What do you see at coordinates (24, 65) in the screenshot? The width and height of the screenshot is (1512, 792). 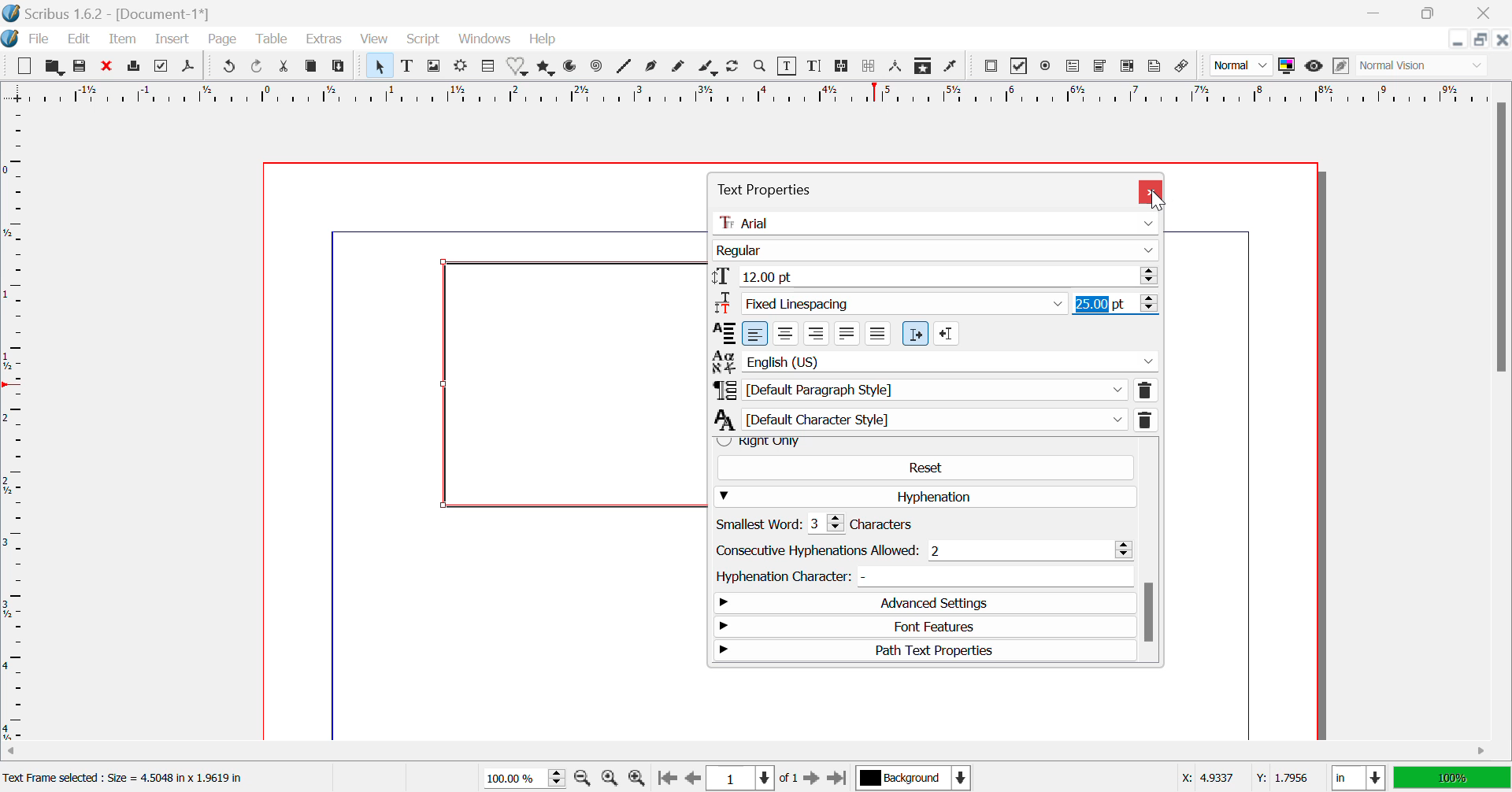 I see `New` at bounding box center [24, 65].